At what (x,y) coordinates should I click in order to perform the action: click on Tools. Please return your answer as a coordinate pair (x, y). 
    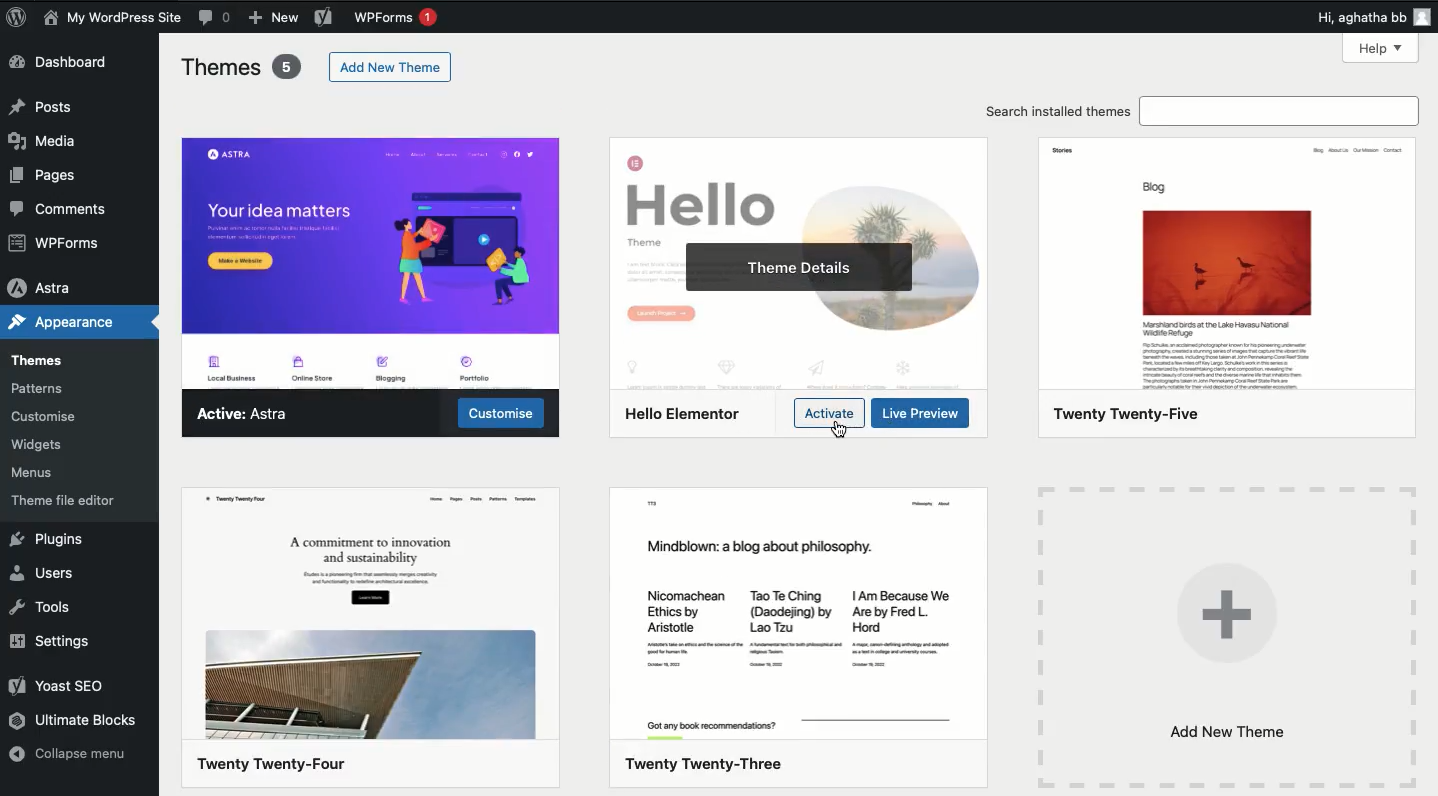
    Looking at the image, I should click on (45, 609).